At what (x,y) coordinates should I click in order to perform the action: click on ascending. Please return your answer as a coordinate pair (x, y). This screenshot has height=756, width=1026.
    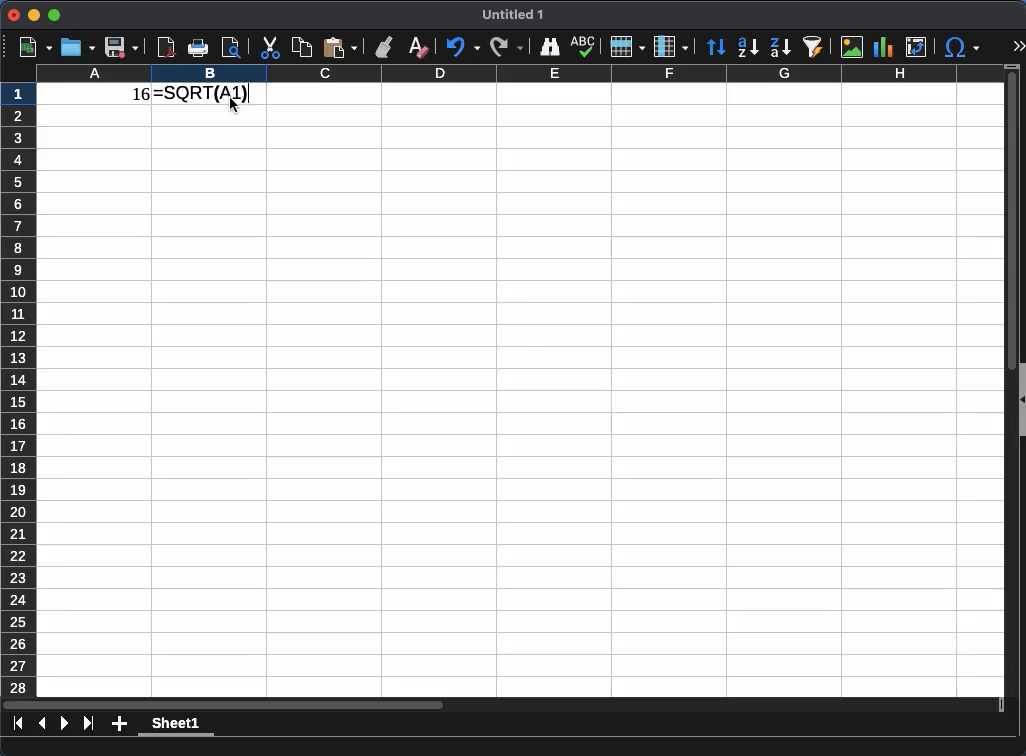
    Looking at the image, I should click on (748, 48).